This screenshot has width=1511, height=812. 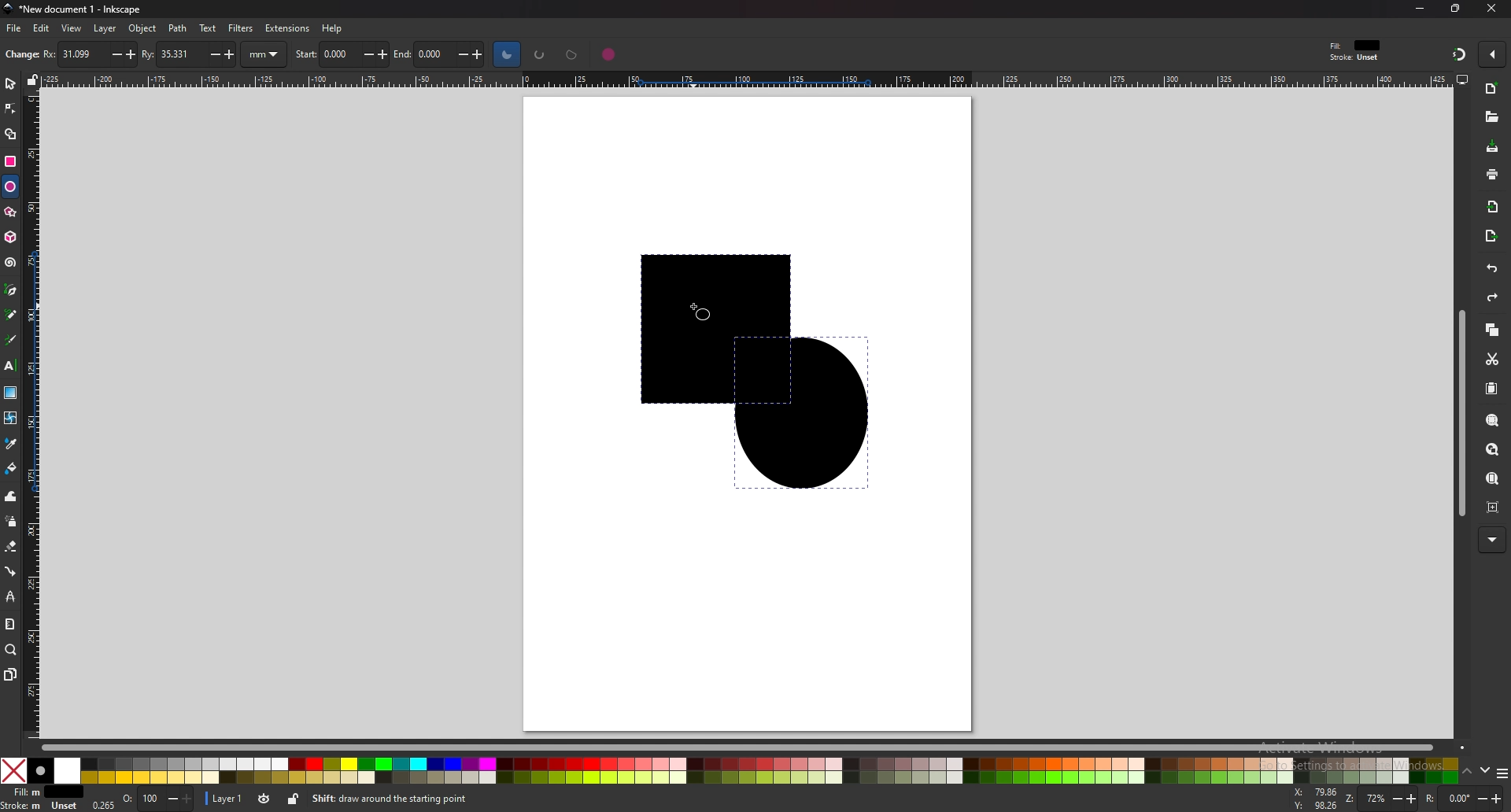 I want to click on slice, so click(x=507, y=54).